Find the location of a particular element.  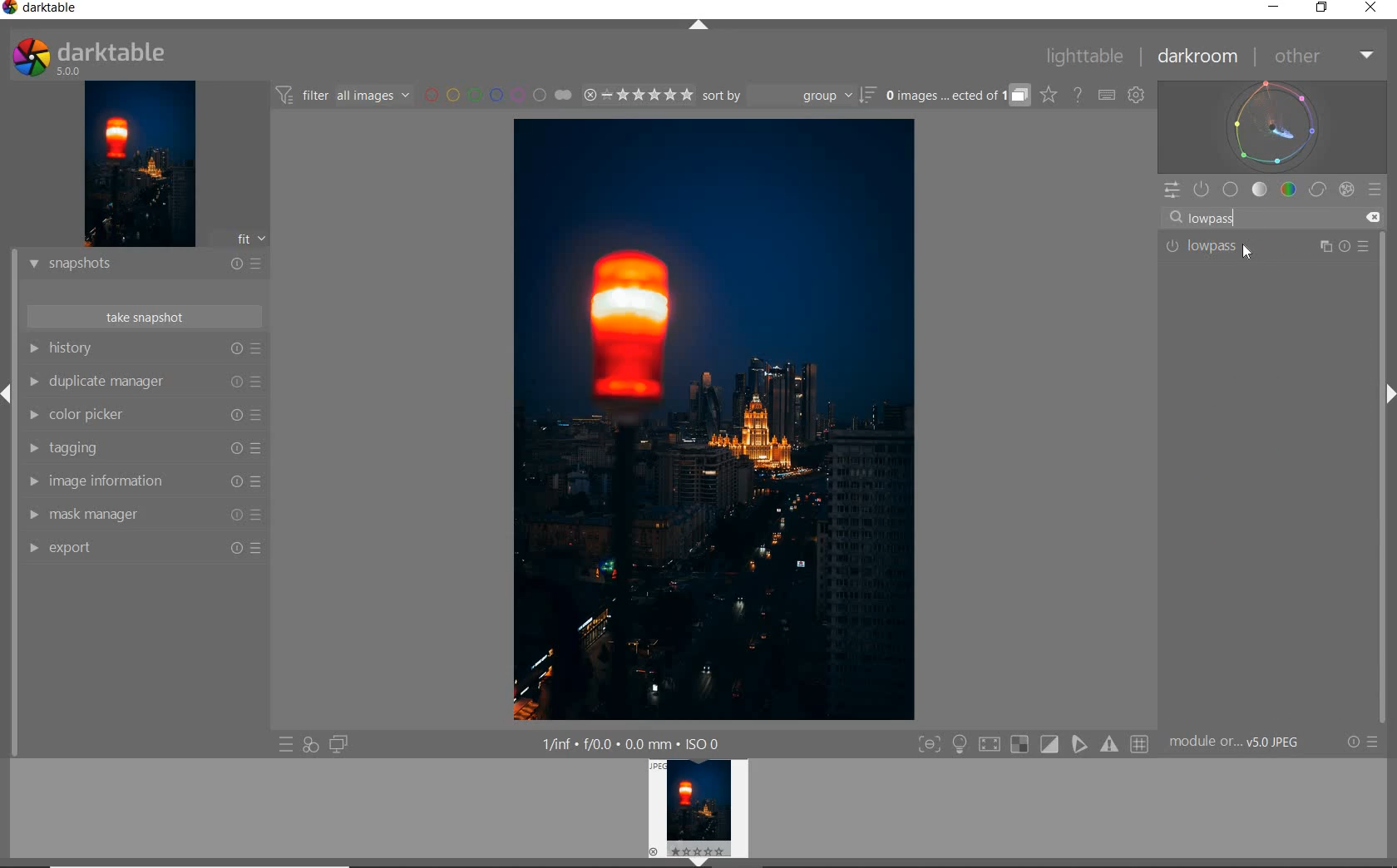

MODULE...v5.0 JPEG is located at coordinates (1251, 744).